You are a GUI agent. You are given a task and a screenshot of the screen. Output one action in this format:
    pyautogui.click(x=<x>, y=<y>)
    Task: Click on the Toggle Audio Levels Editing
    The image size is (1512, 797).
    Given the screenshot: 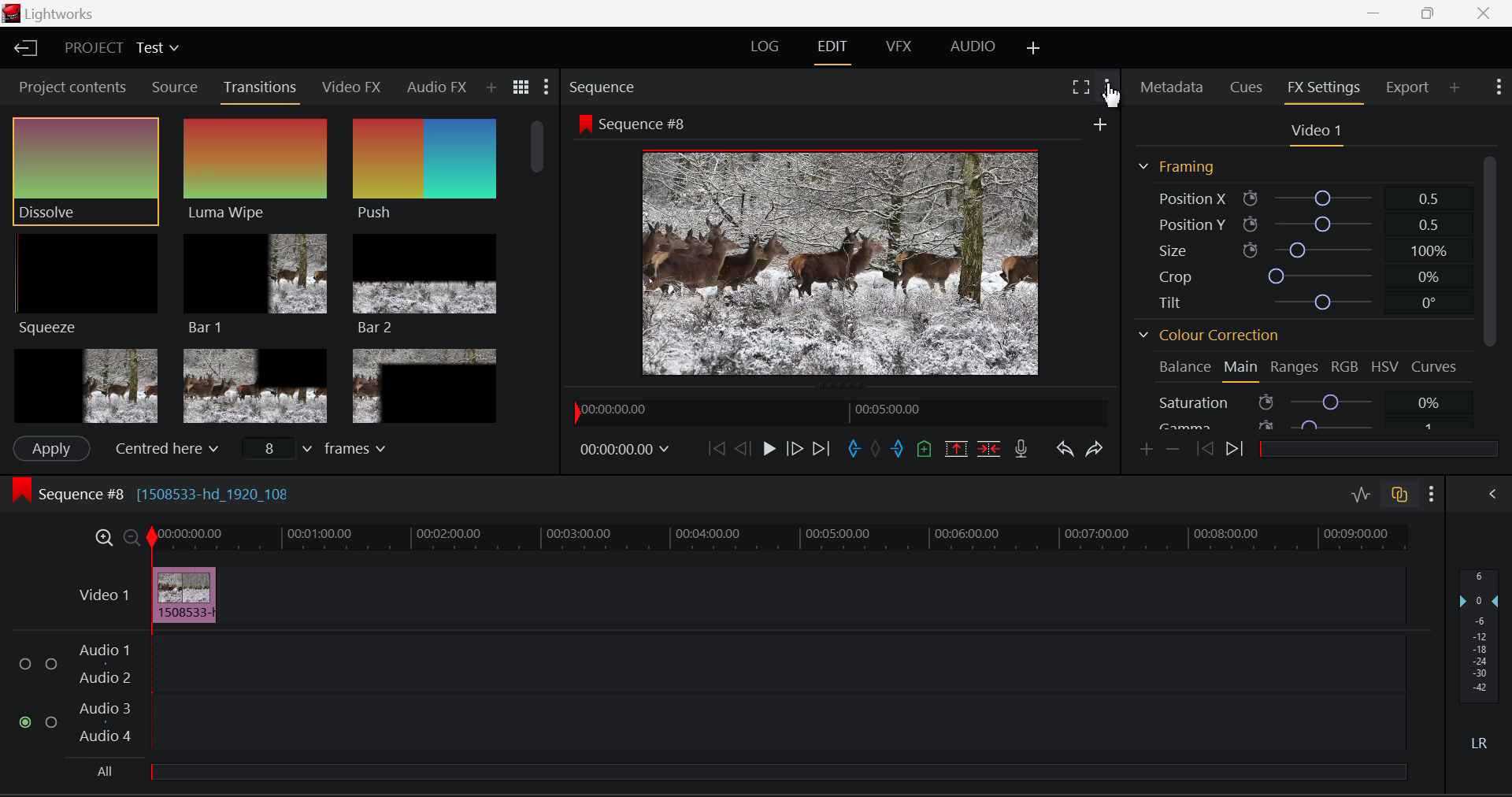 What is the action you would take?
    pyautogui.click(x=1361, y=494)
    